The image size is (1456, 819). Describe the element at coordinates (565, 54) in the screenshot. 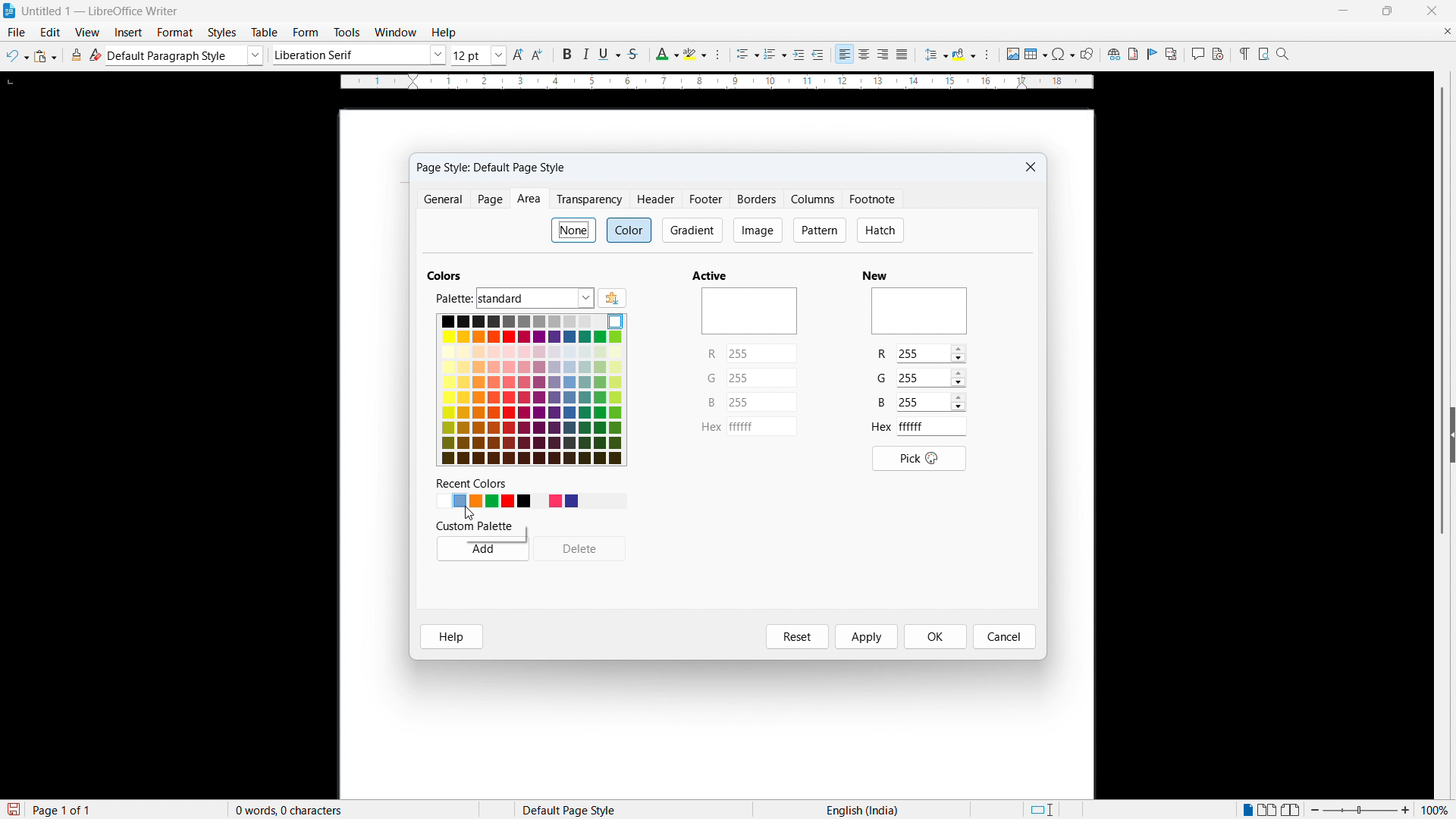

I see `Bold ` at that location.